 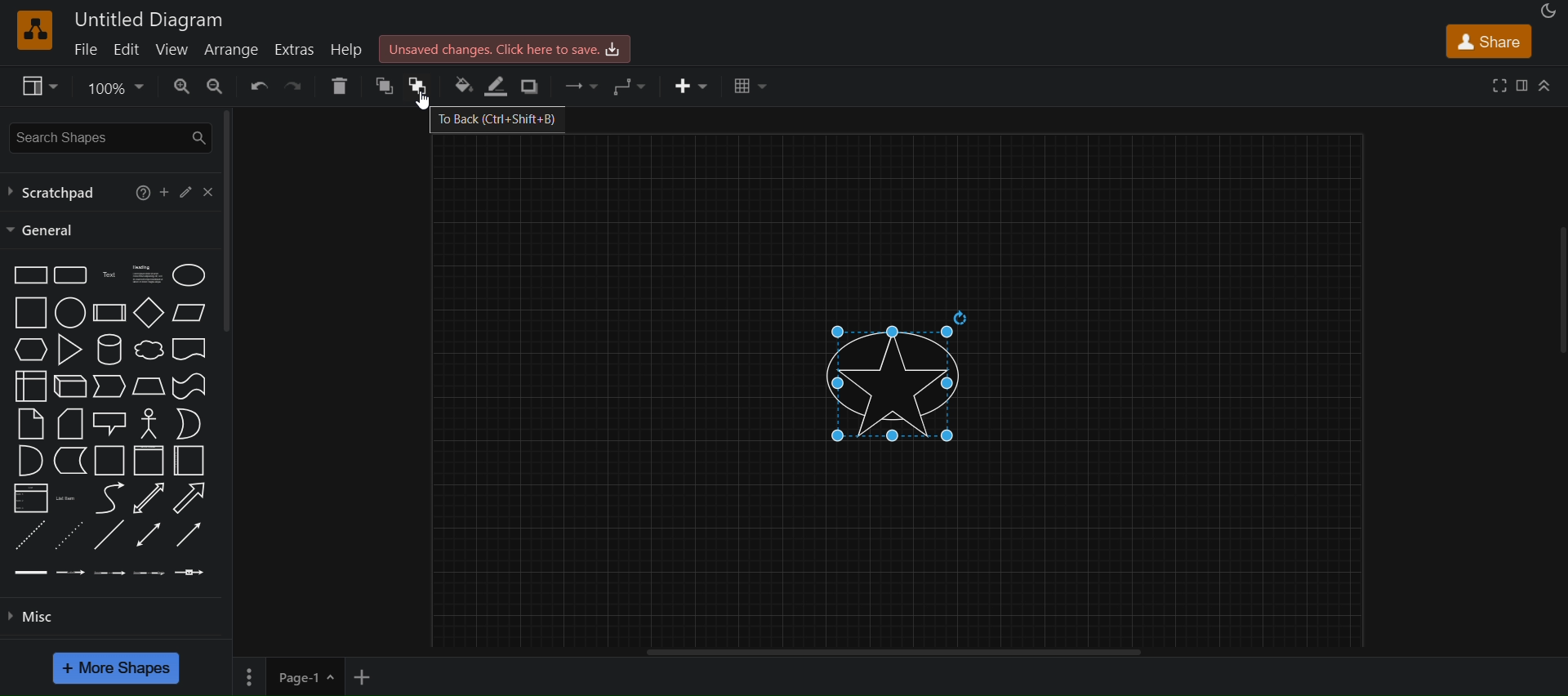 I want to click on note , so click(x=30, y=425).